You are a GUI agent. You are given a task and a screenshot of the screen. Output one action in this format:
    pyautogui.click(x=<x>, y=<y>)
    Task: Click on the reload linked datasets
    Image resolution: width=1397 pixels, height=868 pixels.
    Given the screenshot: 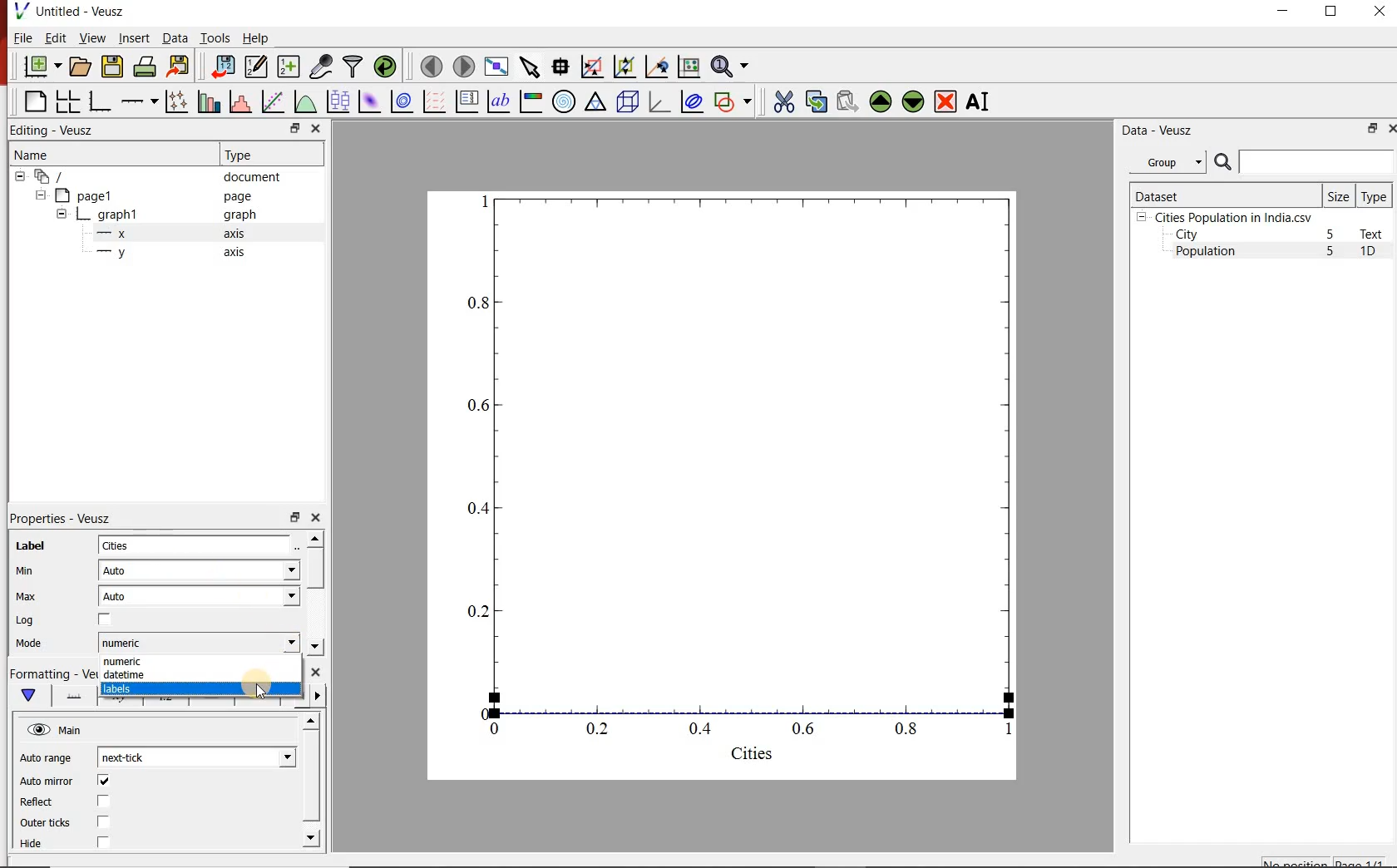 What is the action you would take?
    pyautogui.click(x=384, y=67)
    